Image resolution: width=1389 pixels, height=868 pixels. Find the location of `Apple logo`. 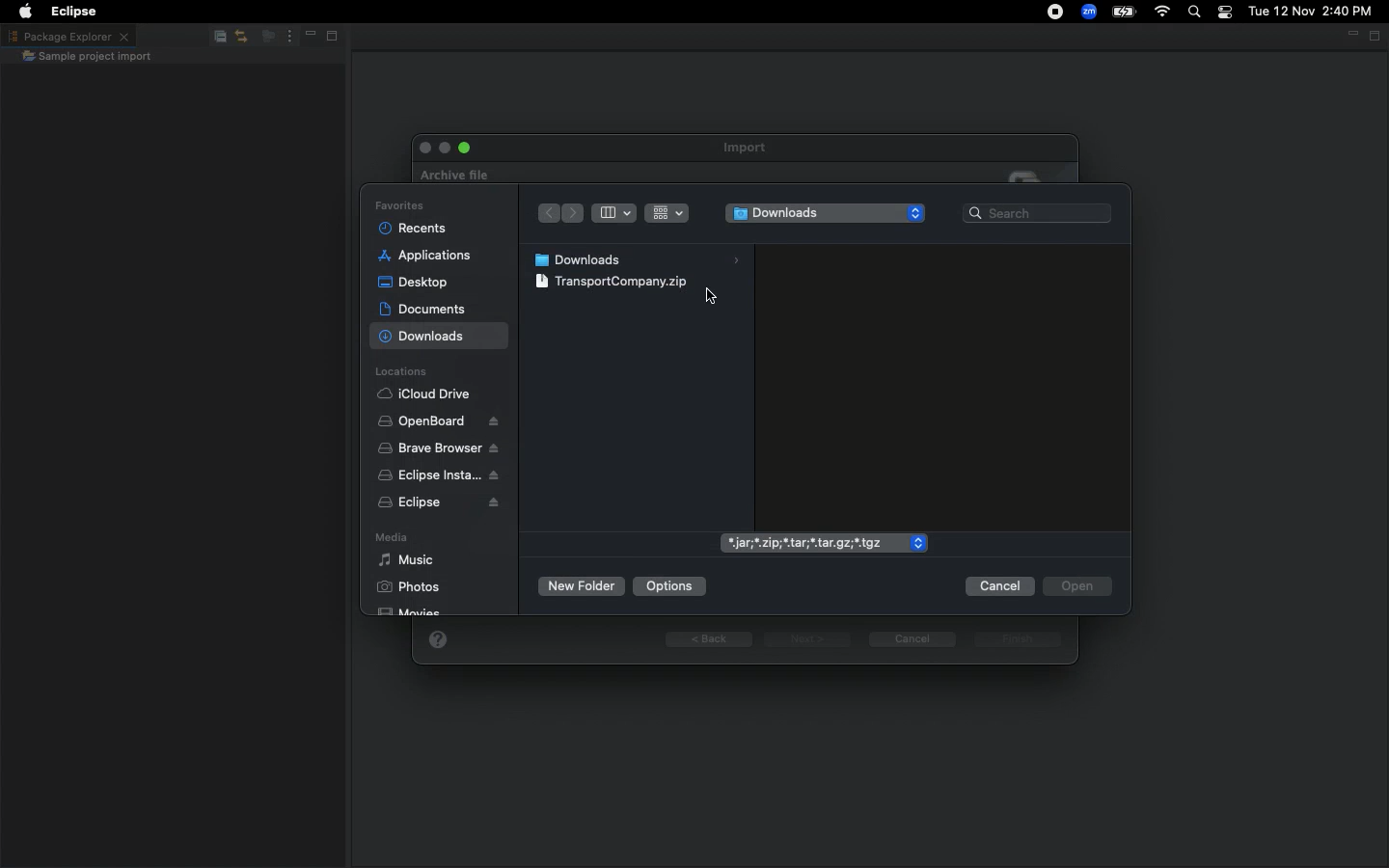

Apple logo is located at coordinates (25, 10).